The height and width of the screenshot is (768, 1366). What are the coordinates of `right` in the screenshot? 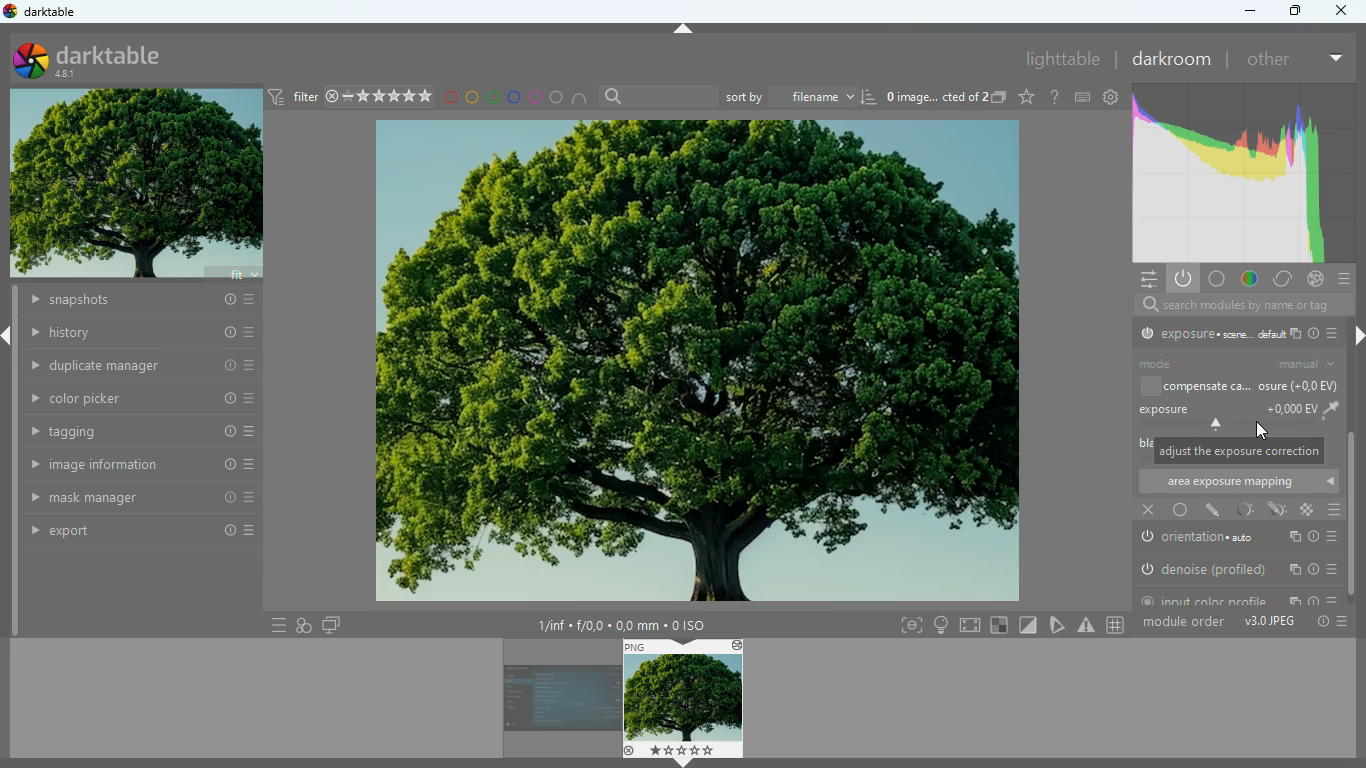 It's located at (1357, 331).